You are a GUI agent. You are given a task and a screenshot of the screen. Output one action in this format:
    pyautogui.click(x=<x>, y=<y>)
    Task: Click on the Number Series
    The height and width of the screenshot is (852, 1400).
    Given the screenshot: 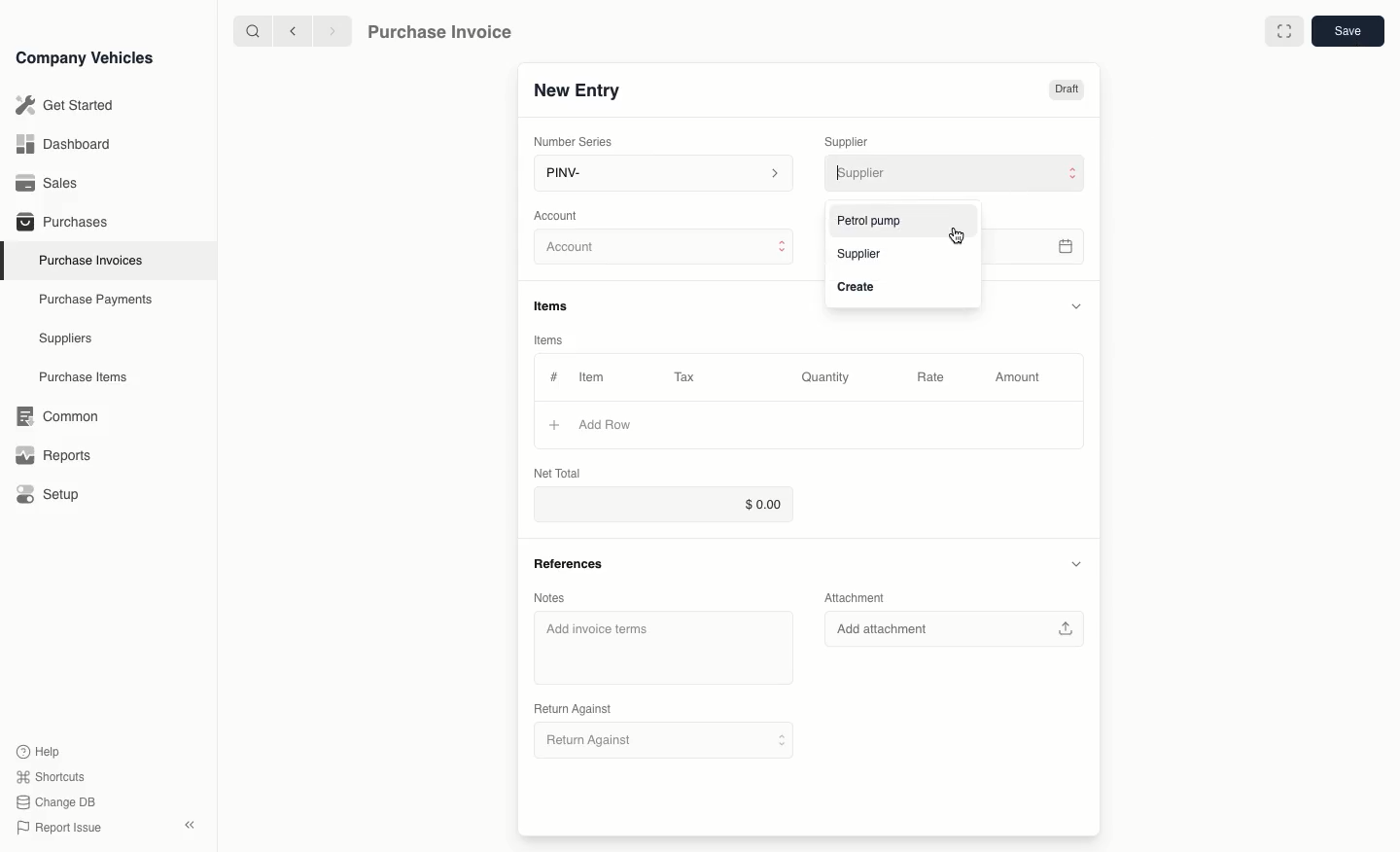 What is the action you would take?
    pyautogui.click(x=579, y=139)
    